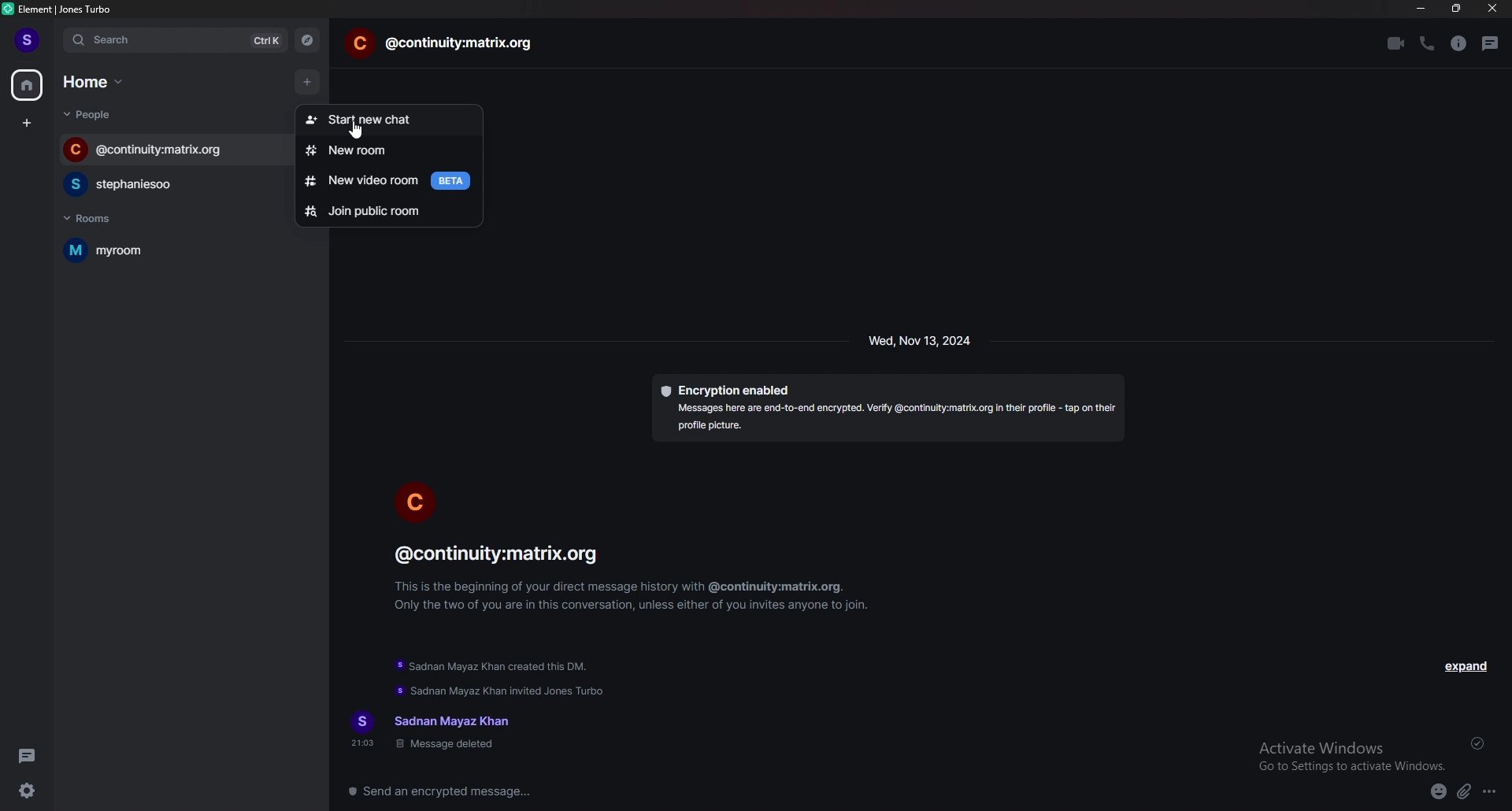 The width and height of the screenshot is (1512, 811). What do you see at coordinates (28, 124) in the screenshot?
I see `create space` at bounding box center [28, 124].